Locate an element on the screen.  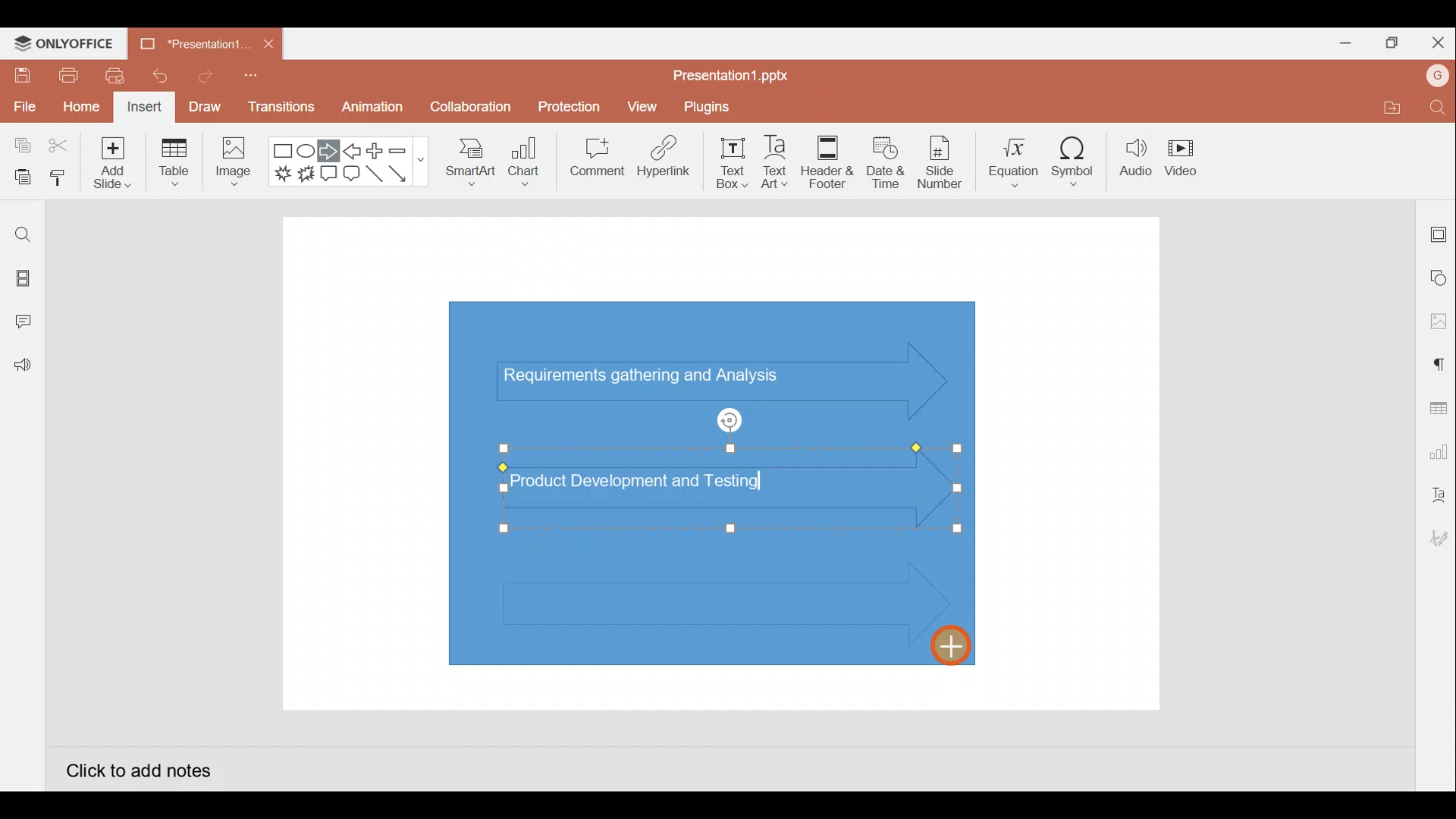
Text (Requirements gathering and Analysis) in arrow shape is located at coordinates (654, 378).